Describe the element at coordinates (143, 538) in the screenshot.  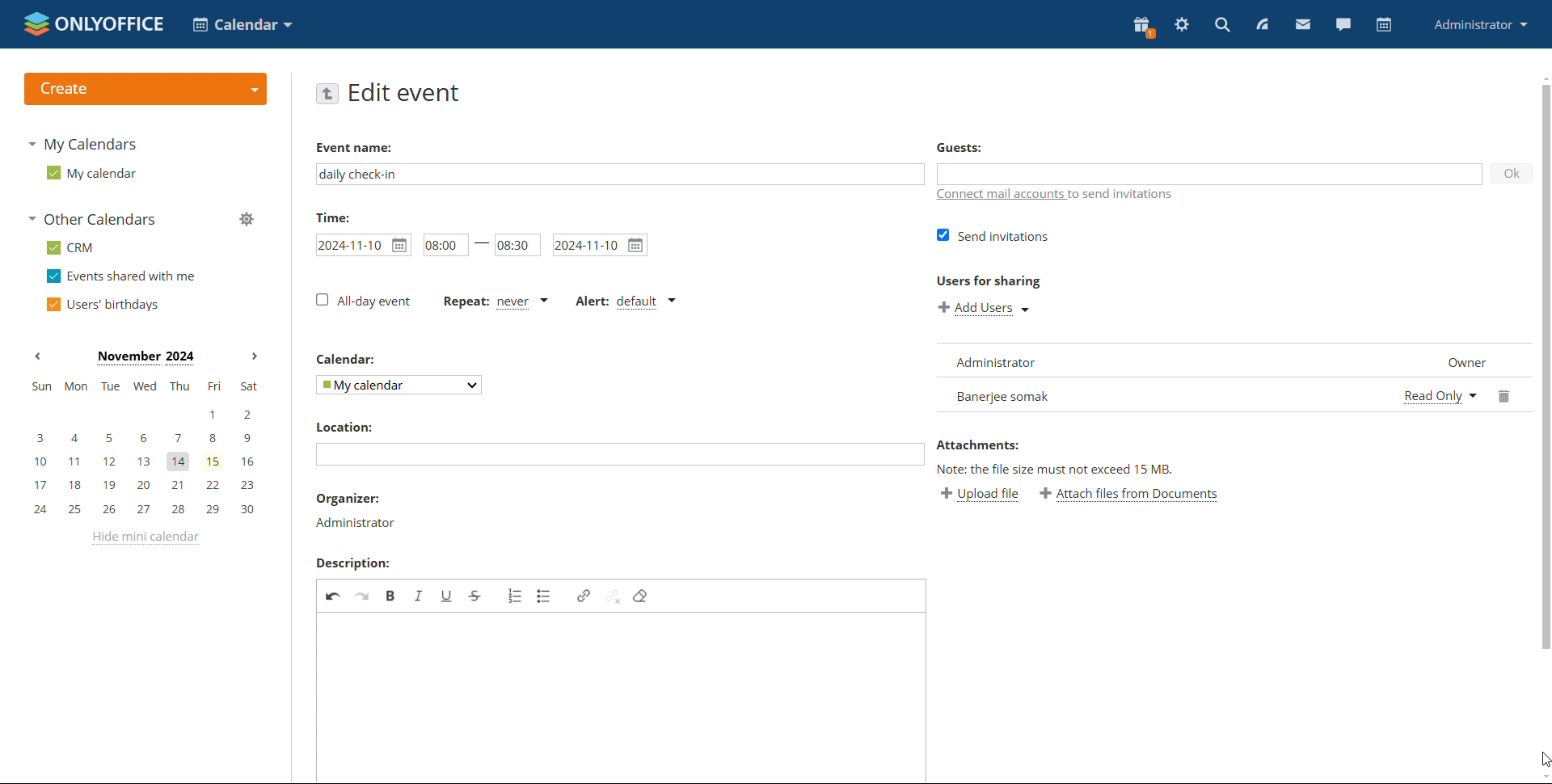
I see `hide mini calendar` at that location.